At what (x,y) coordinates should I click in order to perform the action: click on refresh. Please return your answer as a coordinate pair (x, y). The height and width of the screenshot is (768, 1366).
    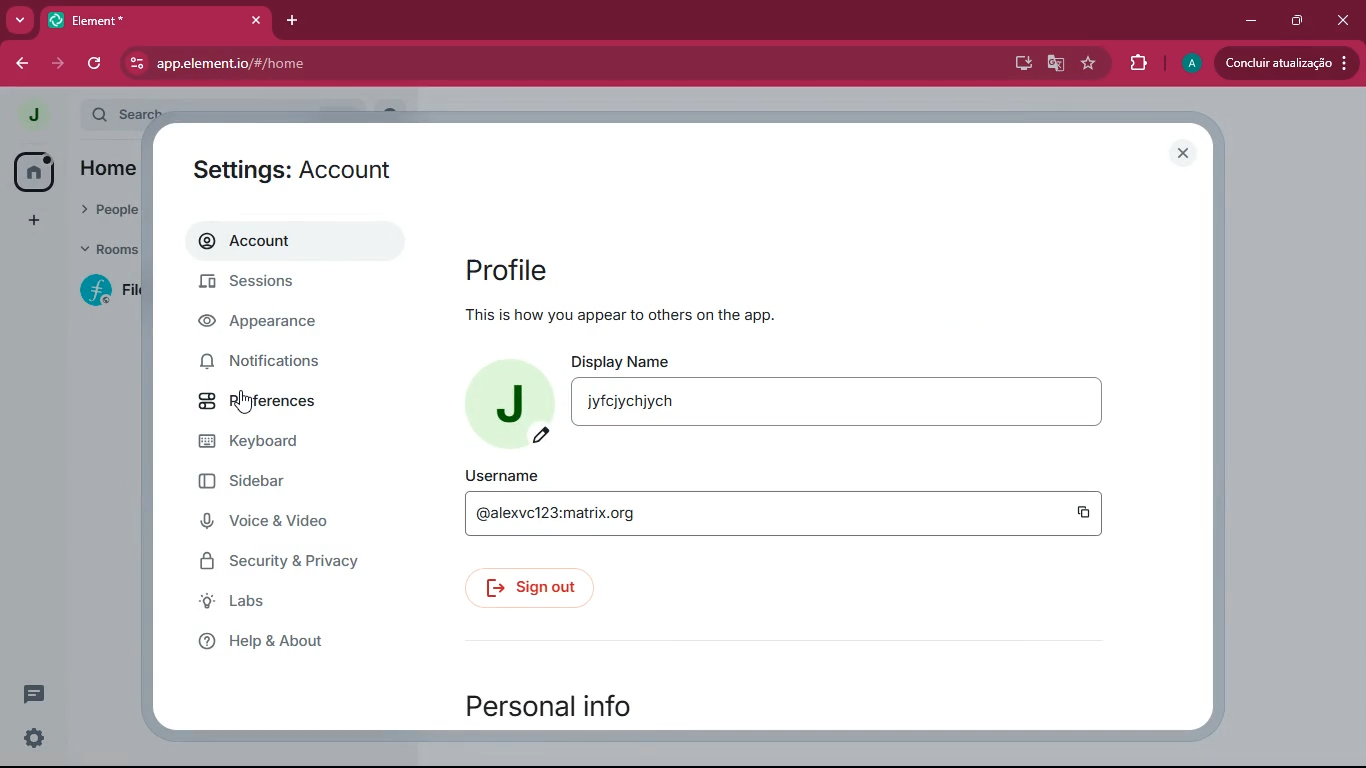
    Looking at the image, I should click on (96, 64).